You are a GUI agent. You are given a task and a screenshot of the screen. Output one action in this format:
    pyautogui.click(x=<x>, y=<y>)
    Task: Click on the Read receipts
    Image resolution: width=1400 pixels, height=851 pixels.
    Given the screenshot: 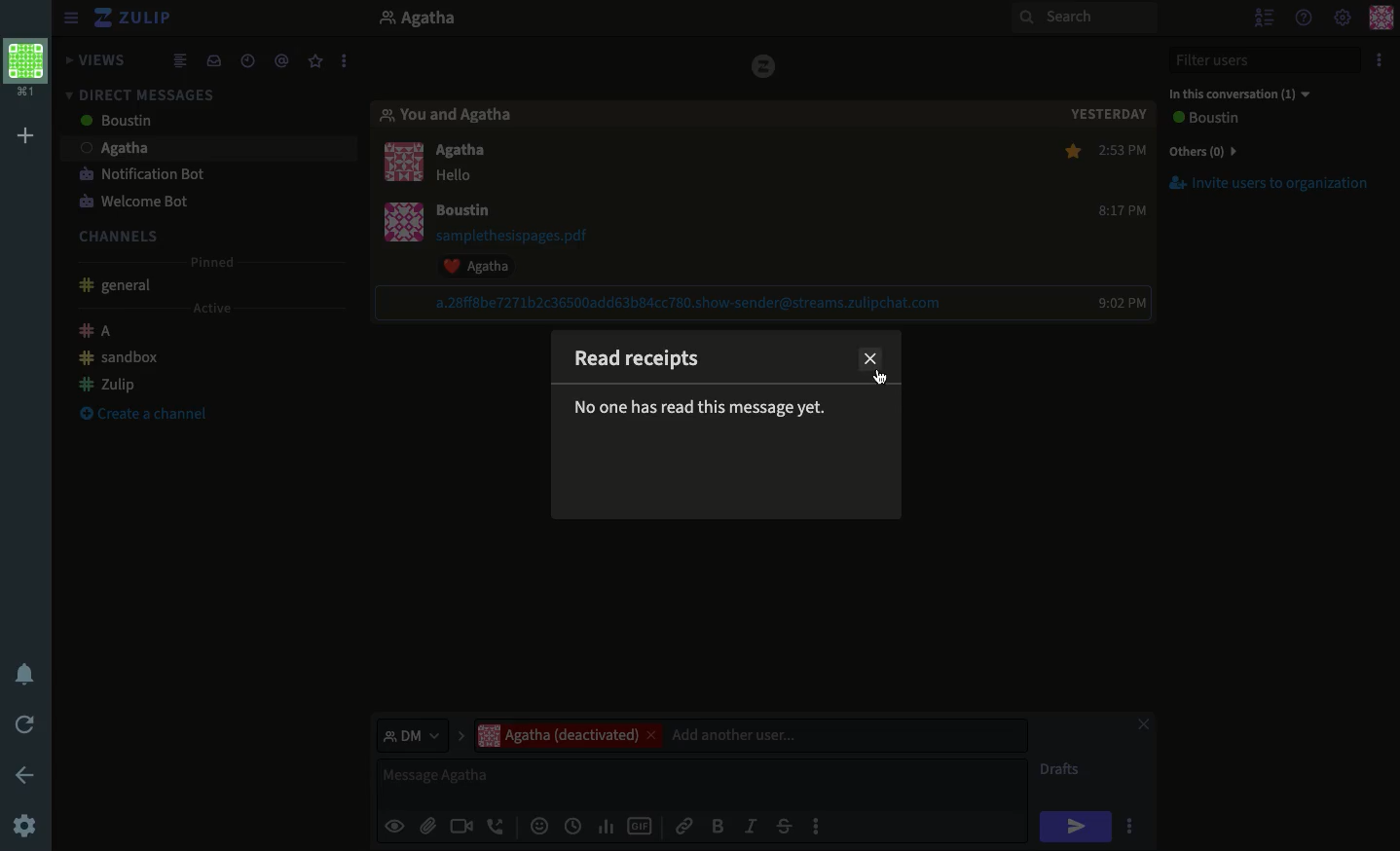 What is the action you would take?
    pyautogui.click(x=646, y=367)
    